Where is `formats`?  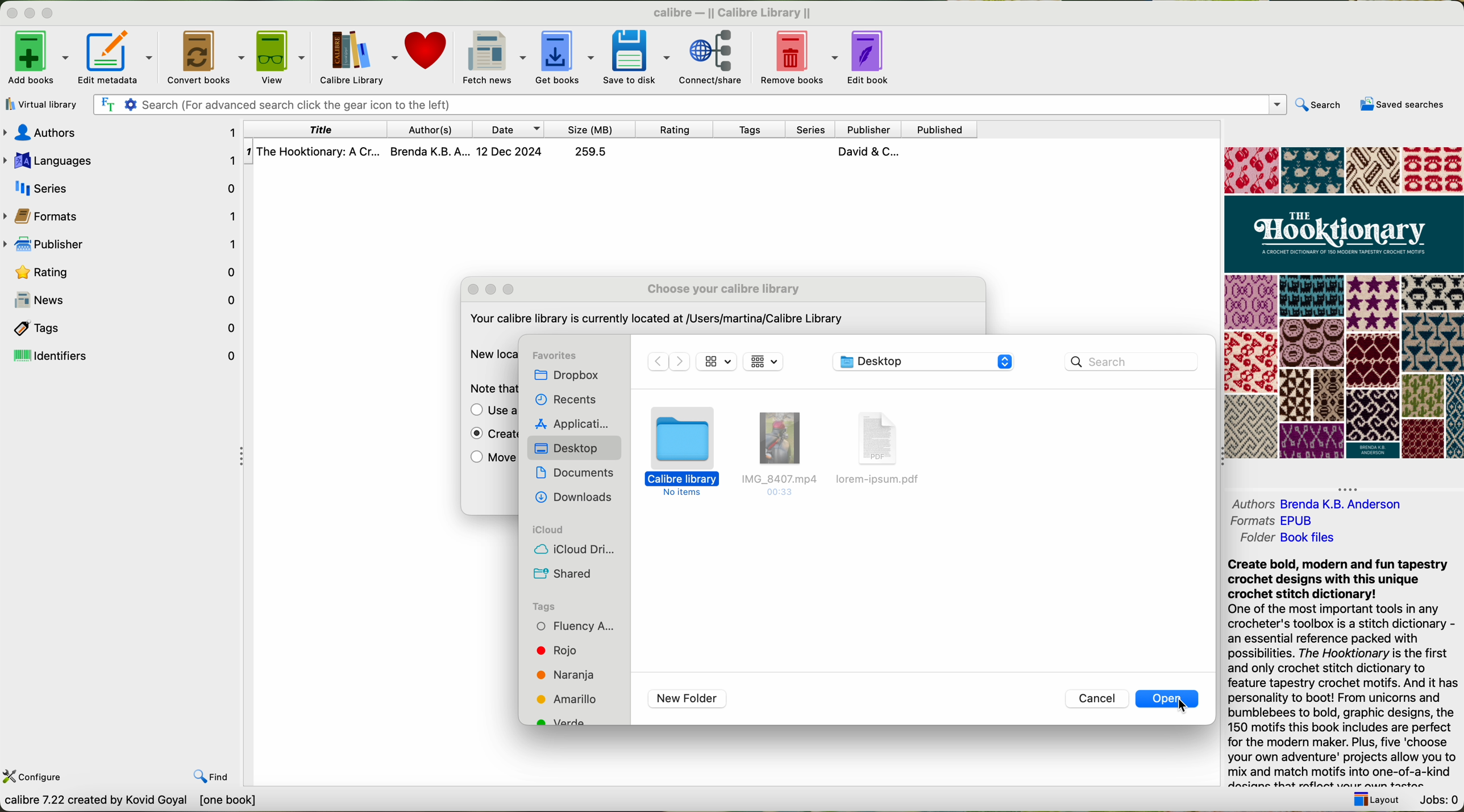
formats is located at coordinates (123, 217).